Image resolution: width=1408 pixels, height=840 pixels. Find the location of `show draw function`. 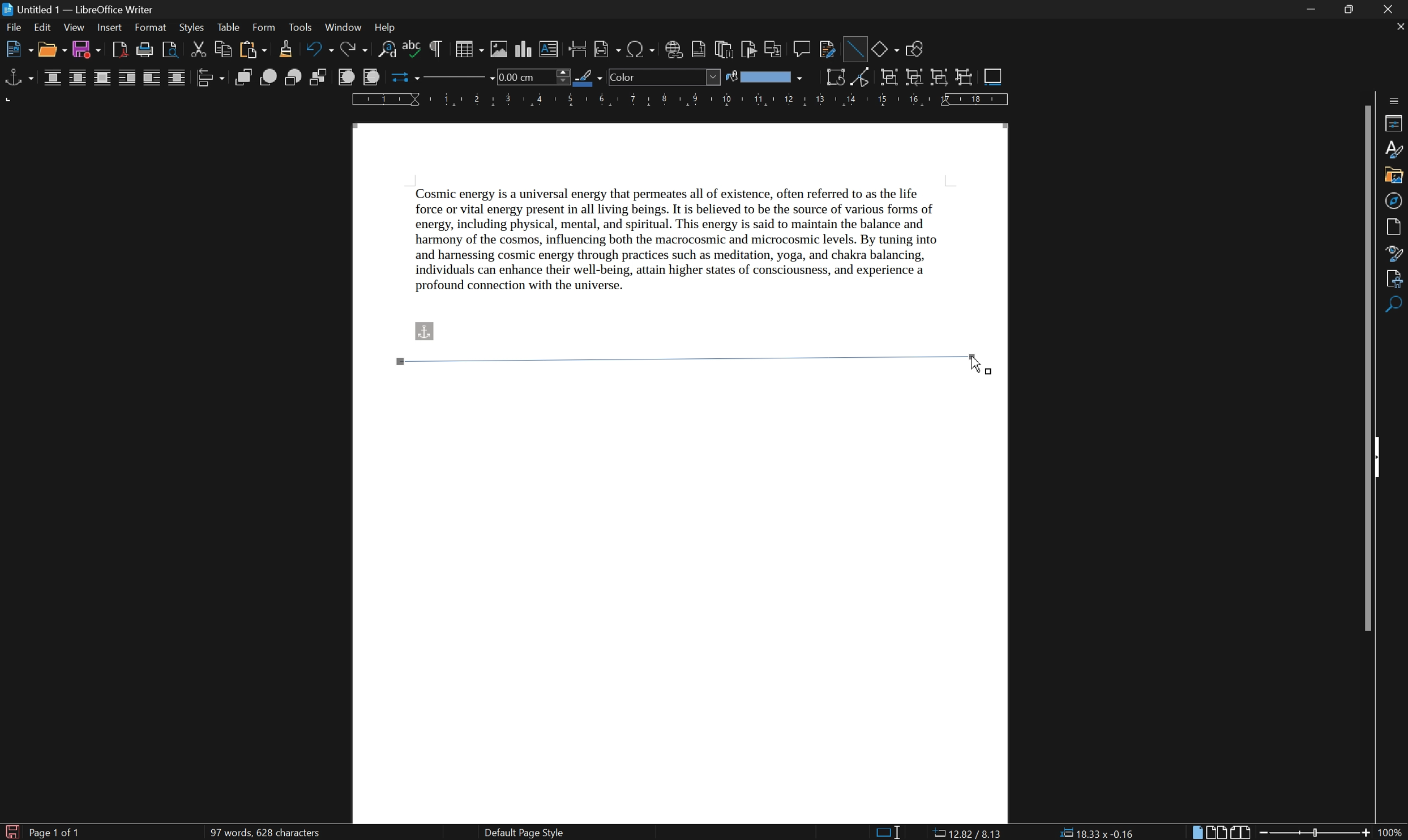

show draw function is located at coordinates (914, 50).